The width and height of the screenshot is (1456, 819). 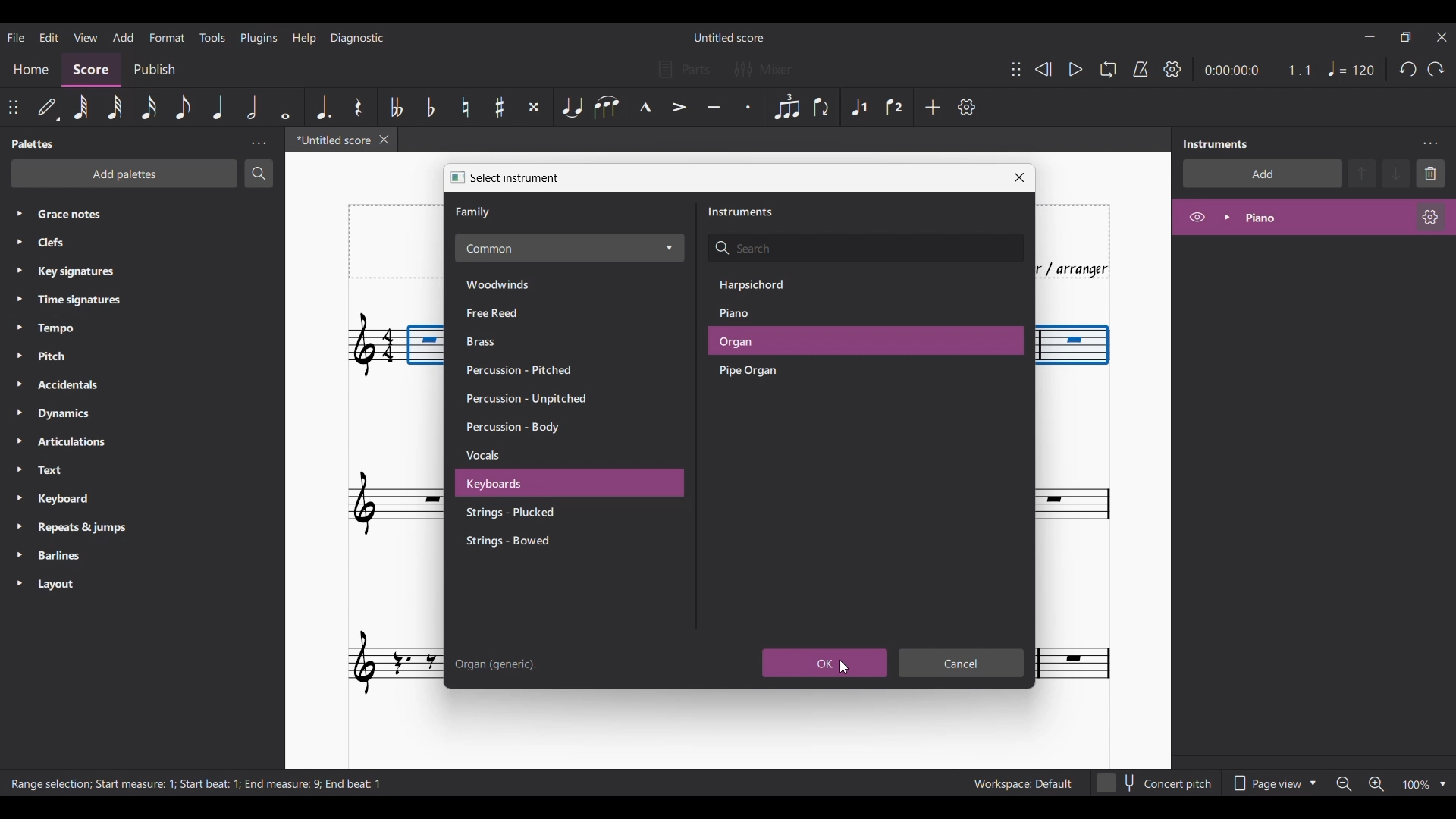 What do you see at coordinates (787, 108) in the screenshot?
I see `Tuplet` at bounding box center [787, 108].